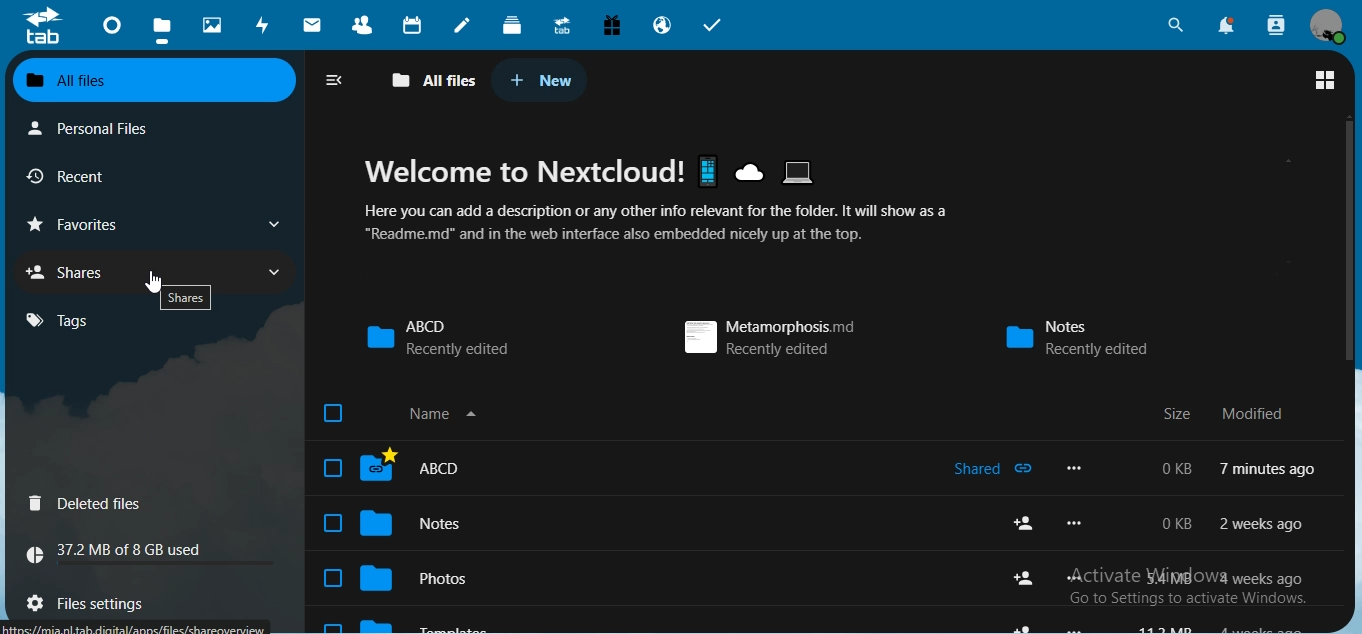 The image size is (1362, 634). What do you see at coordinates (42, 26) in the screenshot?
I see `icon` at bounding box center [42, 26].